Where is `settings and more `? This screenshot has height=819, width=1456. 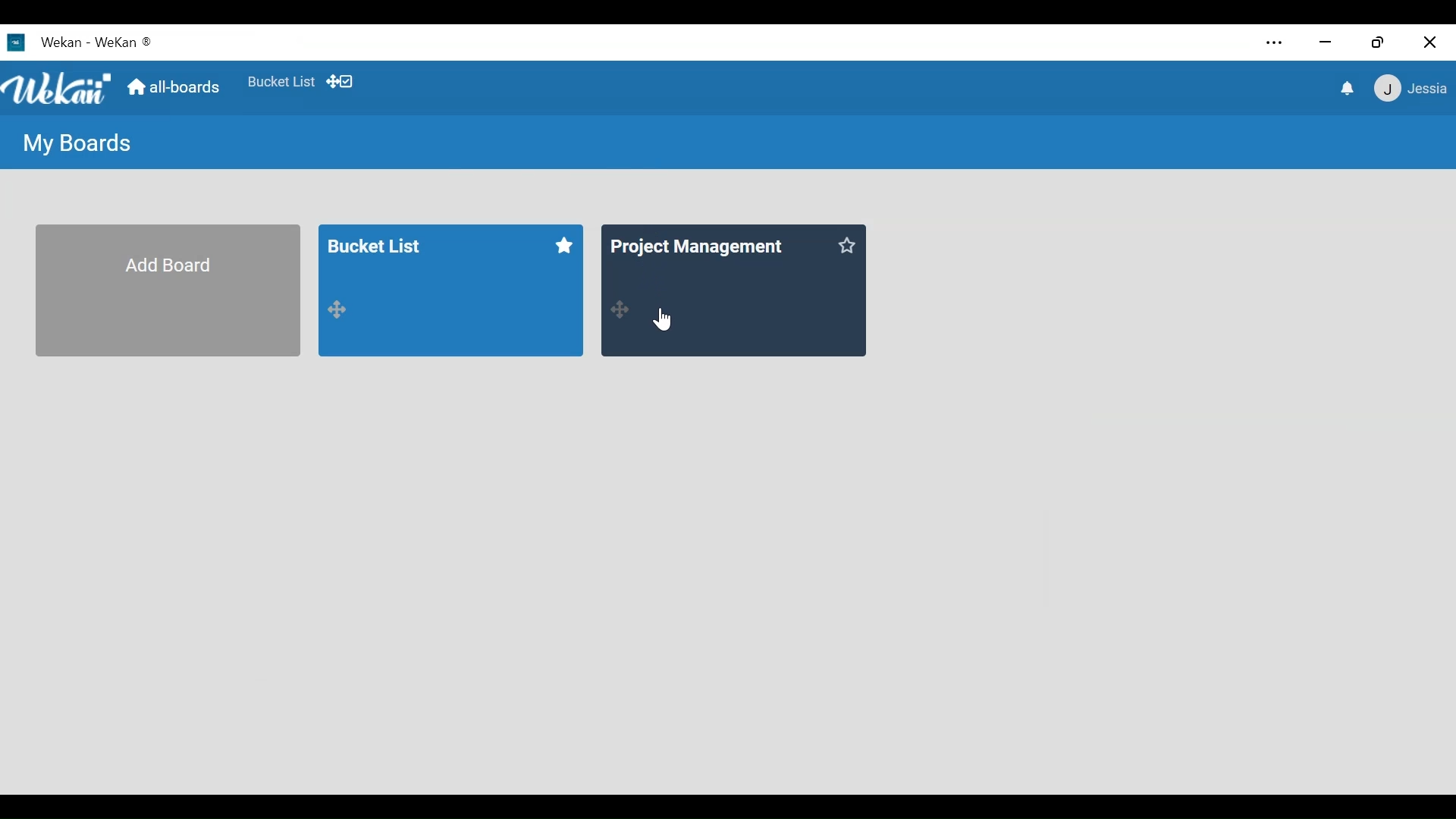 settings and more  is located at coordinates (1276, 42).